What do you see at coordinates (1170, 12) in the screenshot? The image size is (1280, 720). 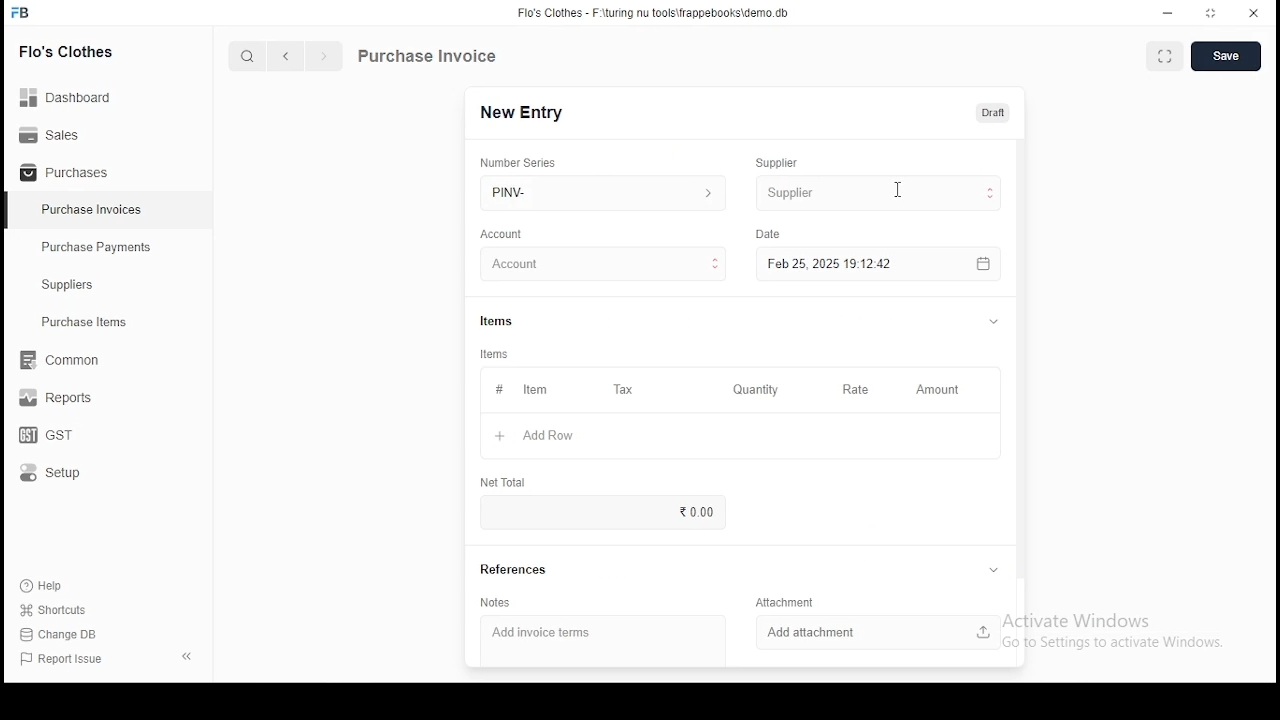 I see `minimize` at bounding box center [1170, 12].